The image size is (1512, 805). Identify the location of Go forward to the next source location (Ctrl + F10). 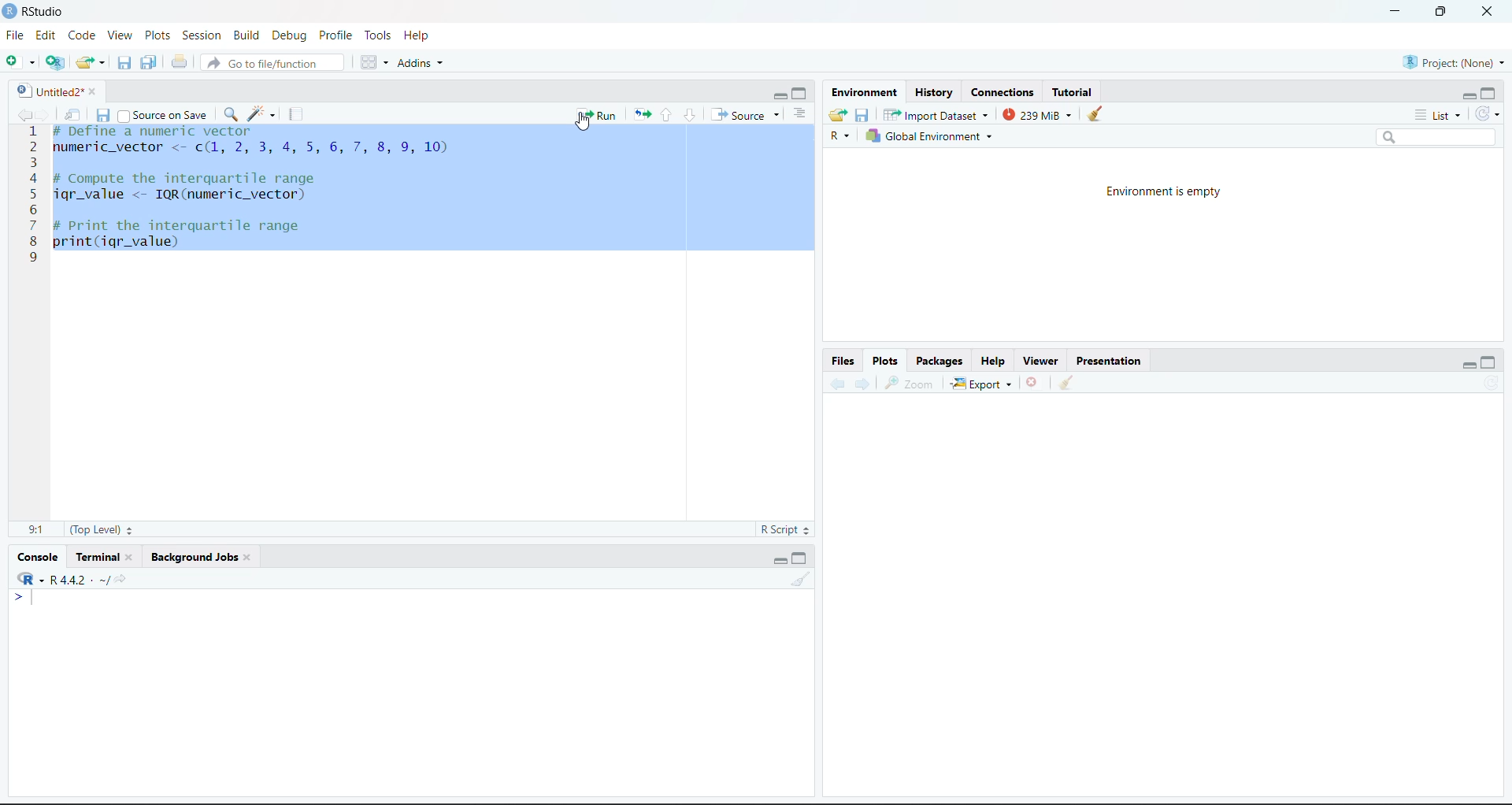
(45, 113).